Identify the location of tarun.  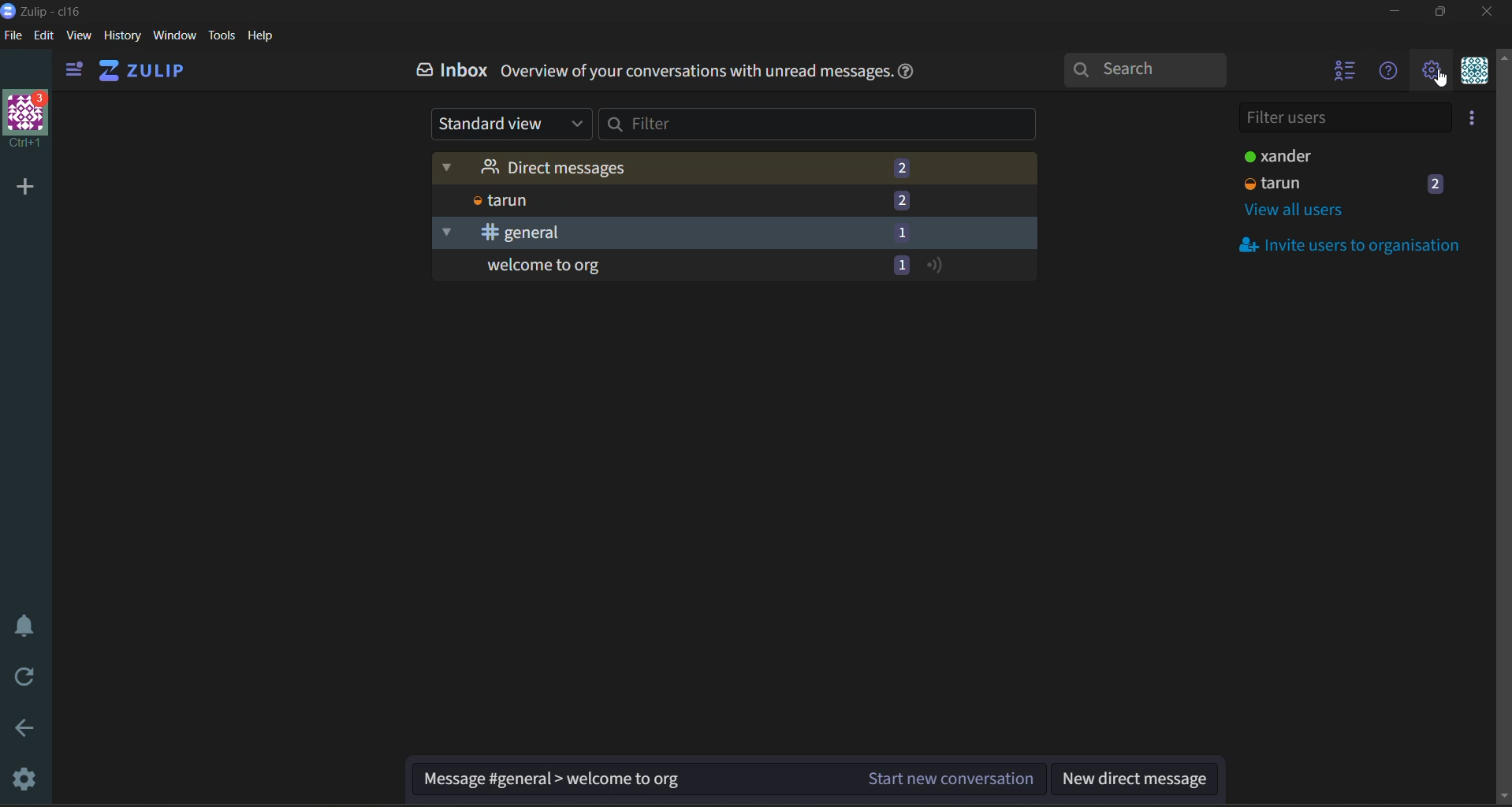
(653, 199).